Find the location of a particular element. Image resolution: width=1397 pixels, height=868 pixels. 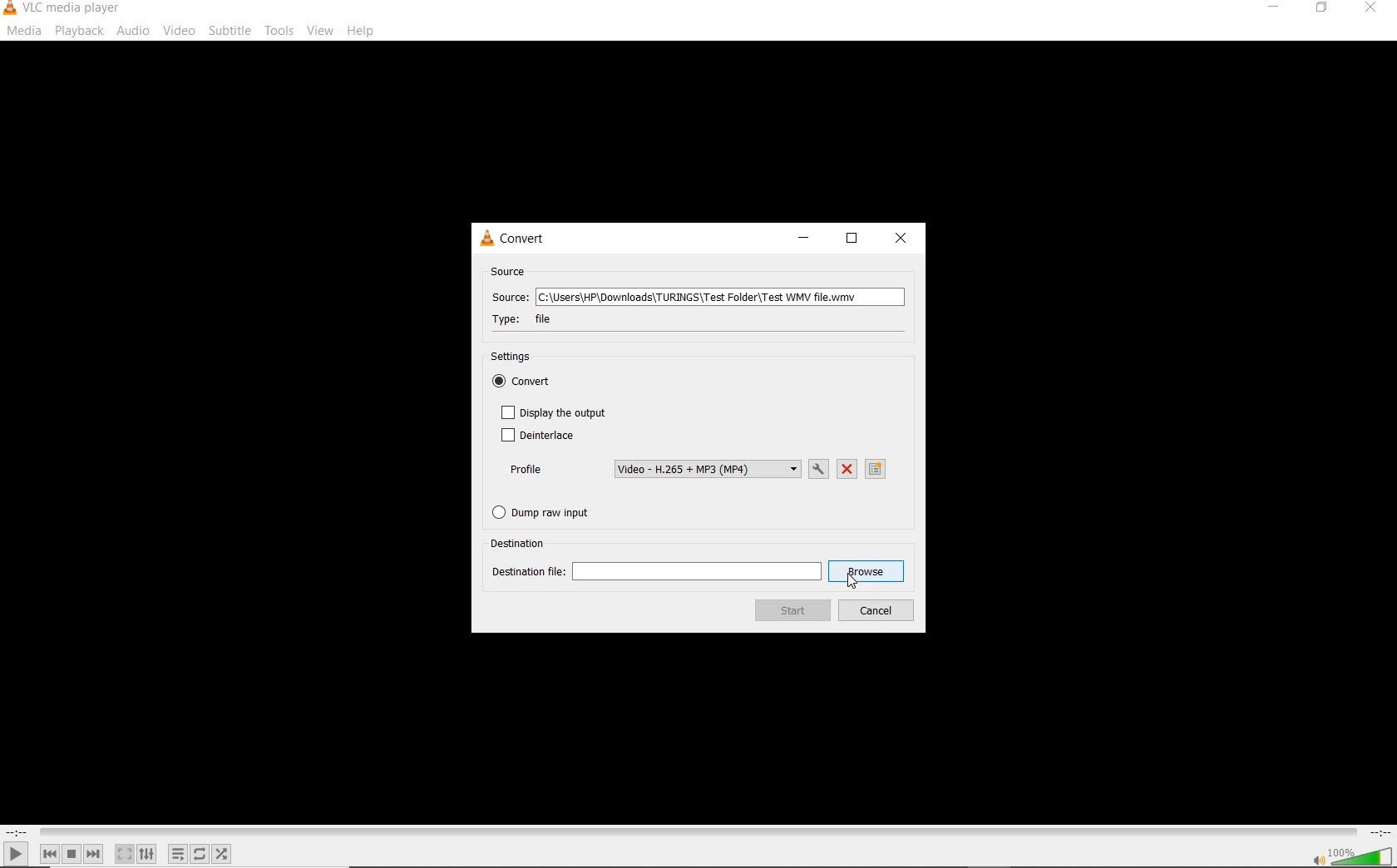

random is located at coordinates (221, 854).